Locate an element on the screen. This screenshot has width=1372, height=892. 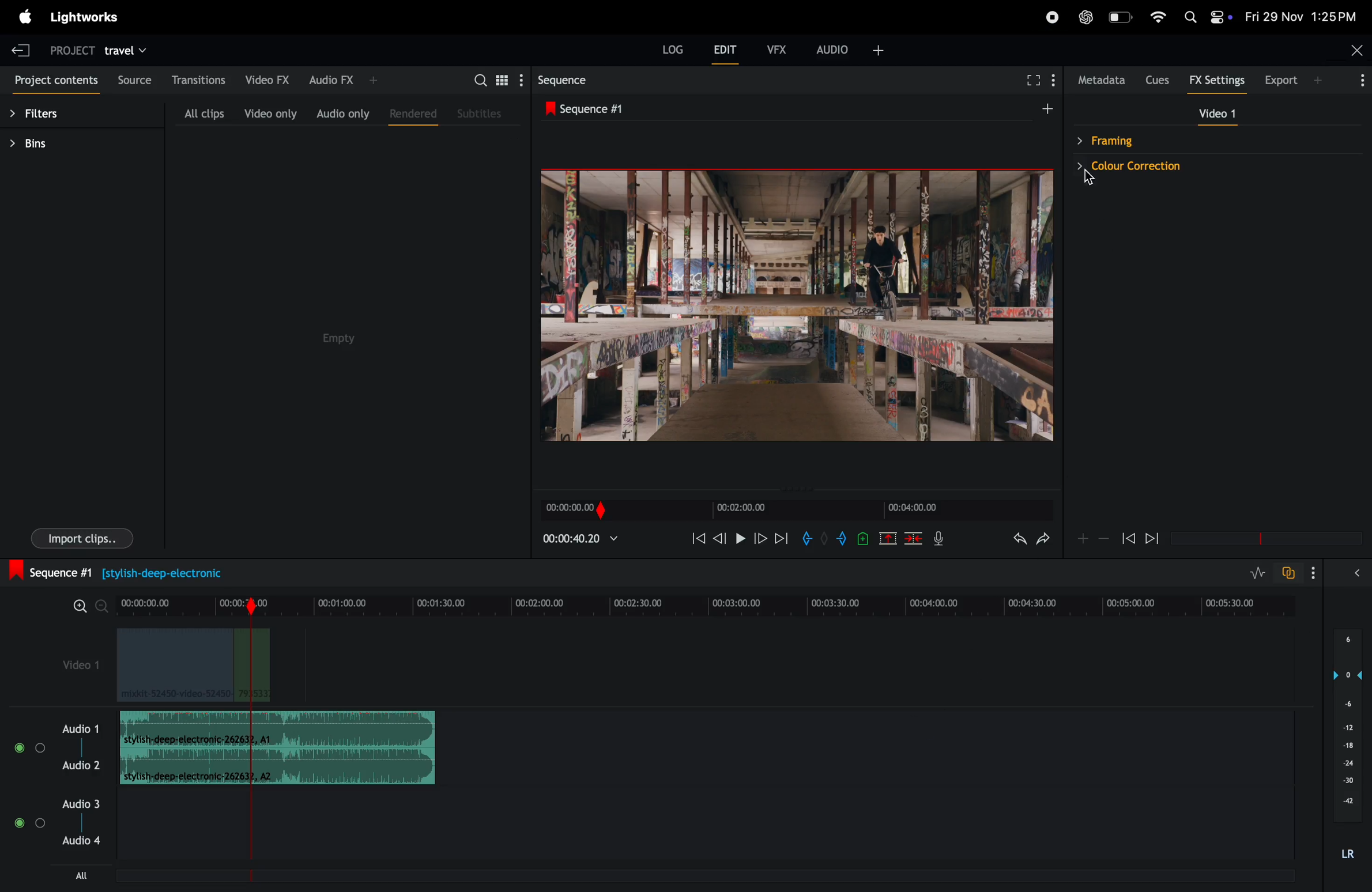
bins is located at coordinates (42, 144).